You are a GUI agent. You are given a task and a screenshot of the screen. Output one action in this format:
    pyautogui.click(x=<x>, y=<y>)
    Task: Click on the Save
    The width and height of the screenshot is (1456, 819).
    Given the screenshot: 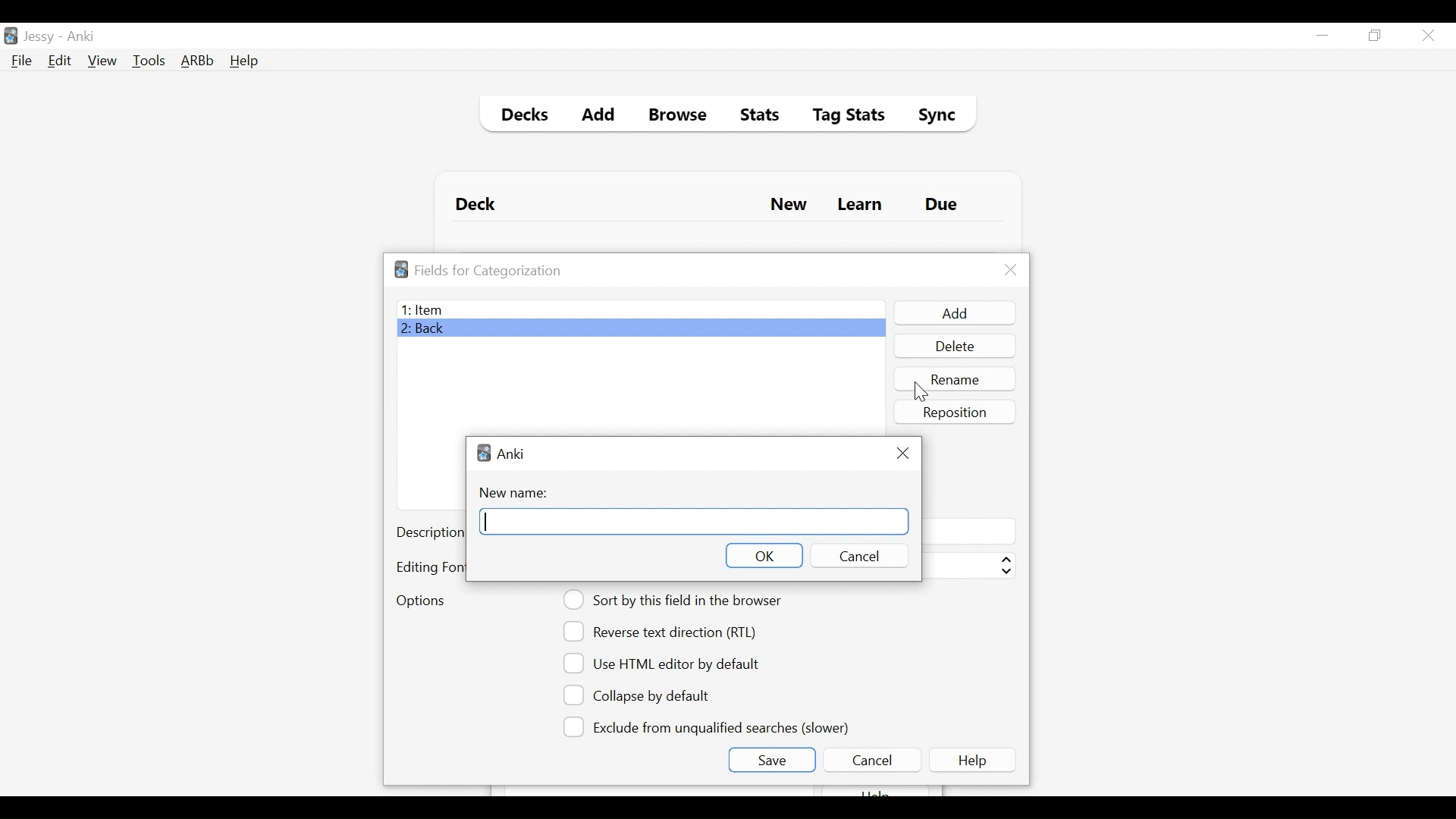 What is the action you would take?
    pyautogui.click(x=771, y=760)
    